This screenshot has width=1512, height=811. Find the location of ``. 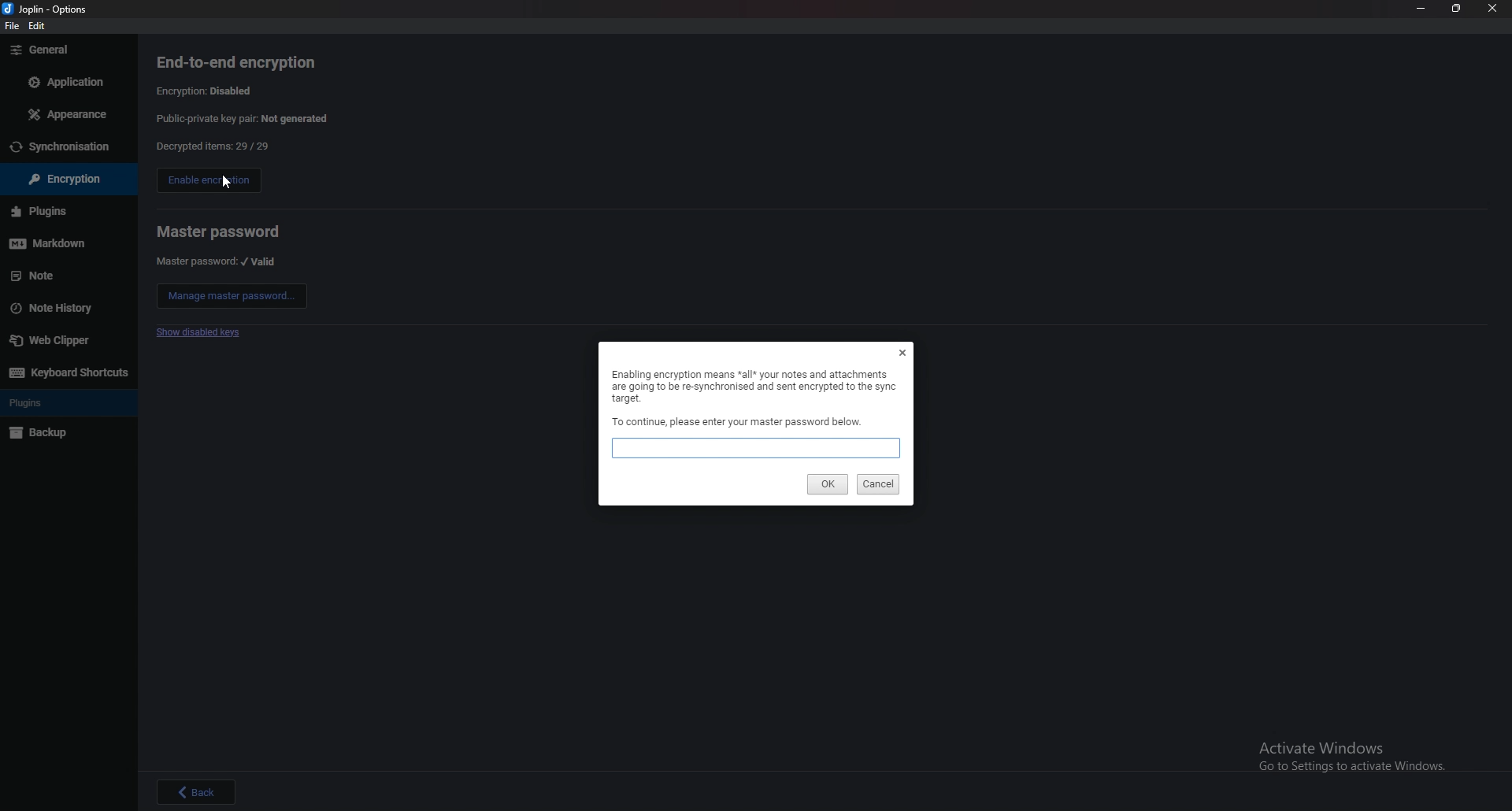

 is located at coordinates (61, 179).